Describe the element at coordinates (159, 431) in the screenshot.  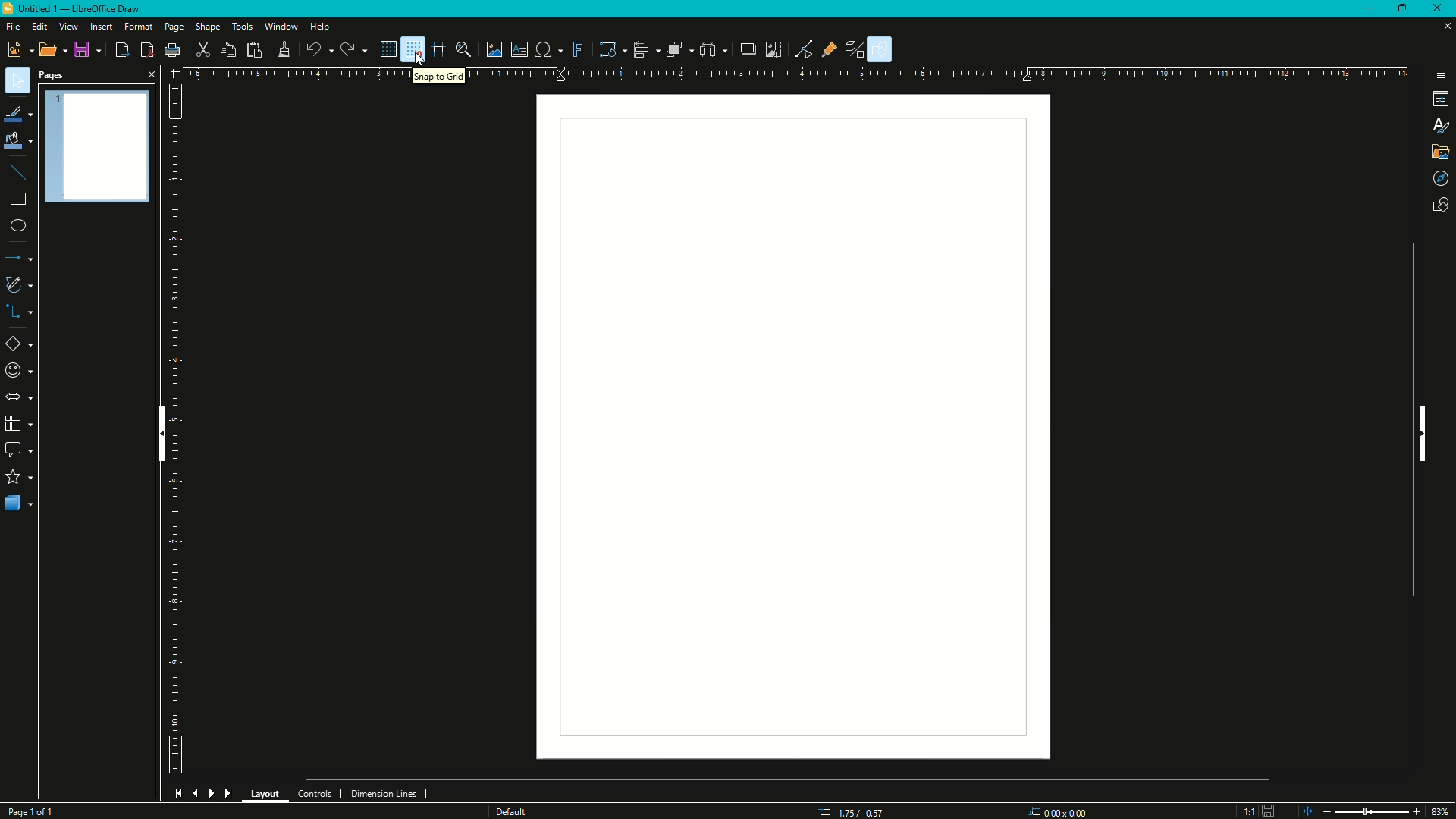
I see `Hide` at that location.